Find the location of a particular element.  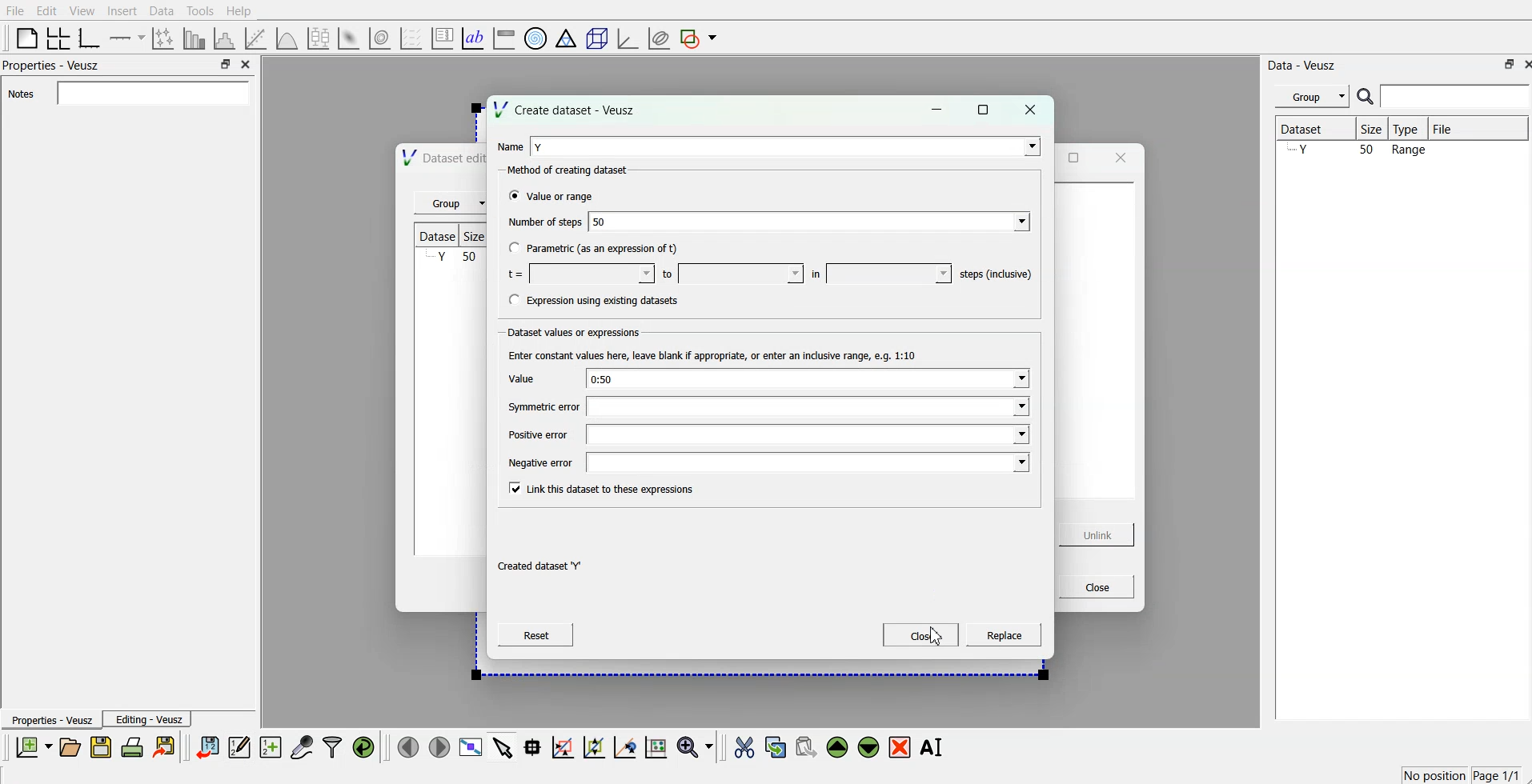

Page 1/1  is located at coordinates (1496, 774).